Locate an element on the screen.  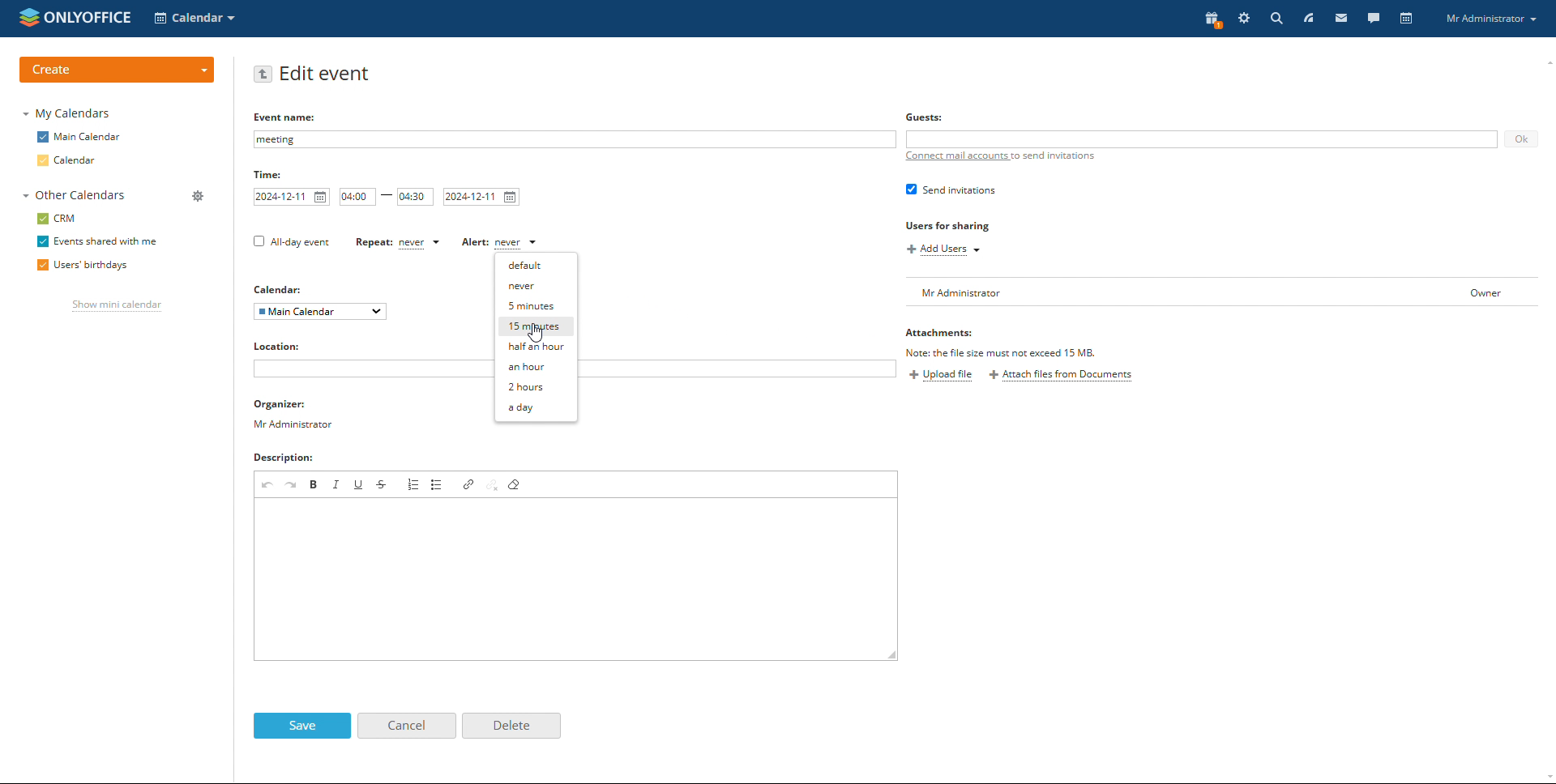
organizer is located at coordinates (294, 415).